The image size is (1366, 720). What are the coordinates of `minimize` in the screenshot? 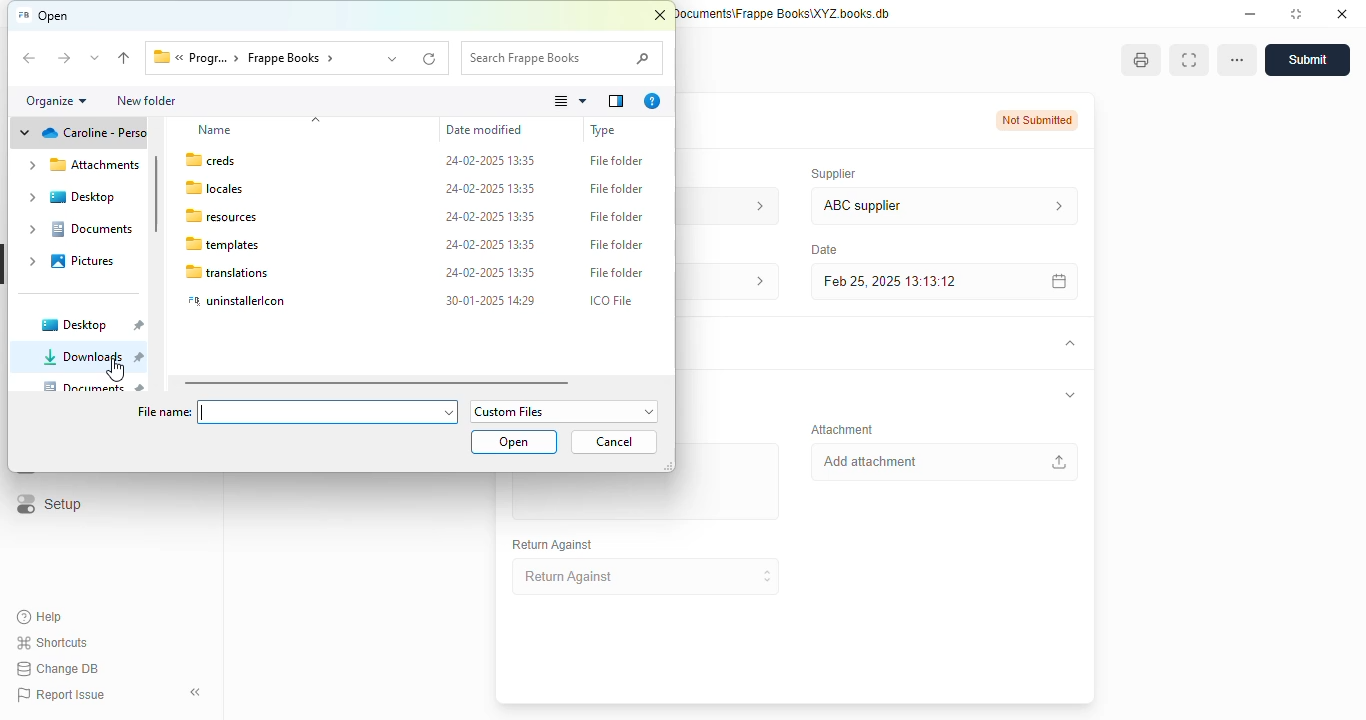 It's located at (1250, 13).